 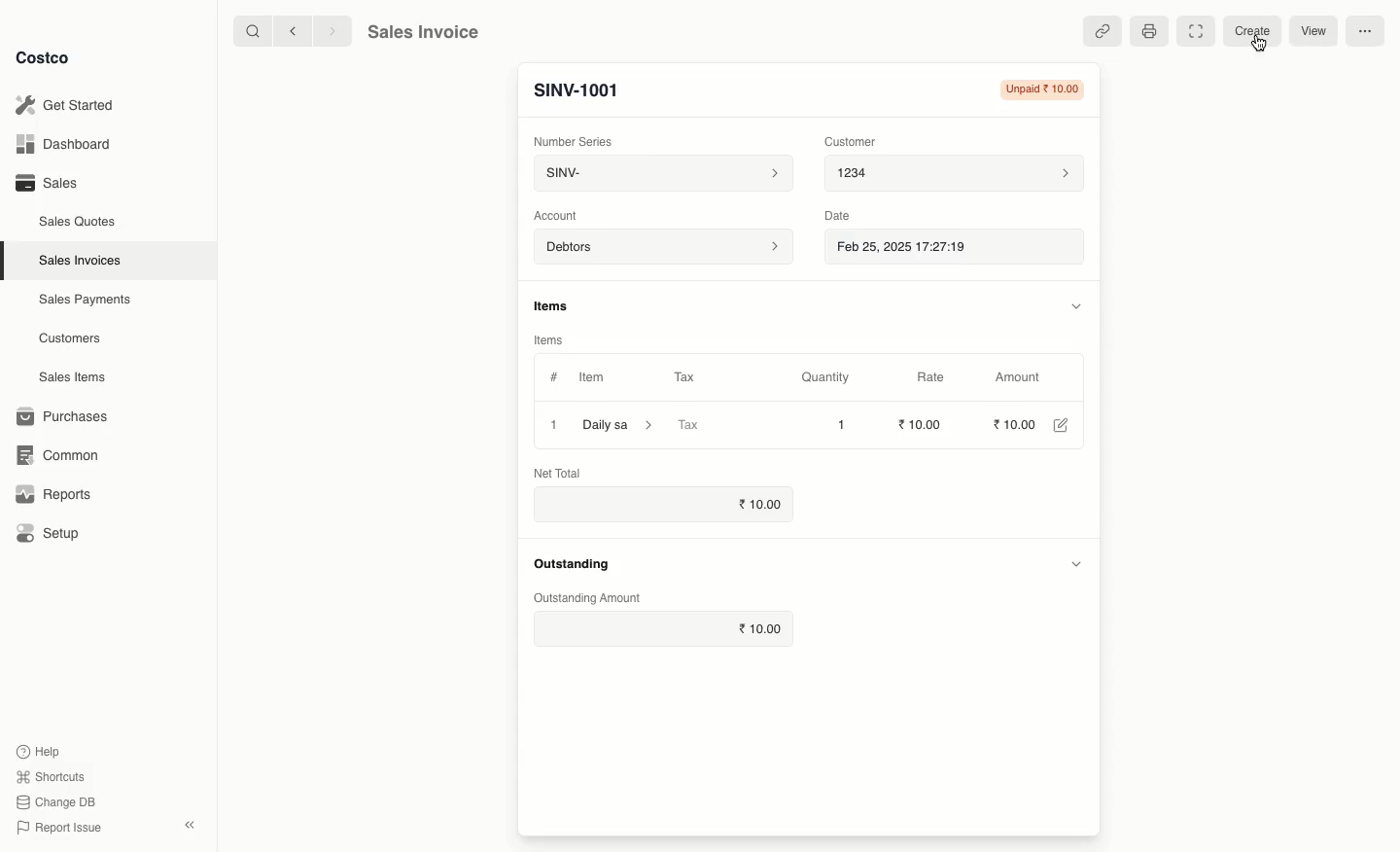 What do you see at coordinates (662, 248) in the screenshot?
I see `Debtors` at bounding box center [662, 248].